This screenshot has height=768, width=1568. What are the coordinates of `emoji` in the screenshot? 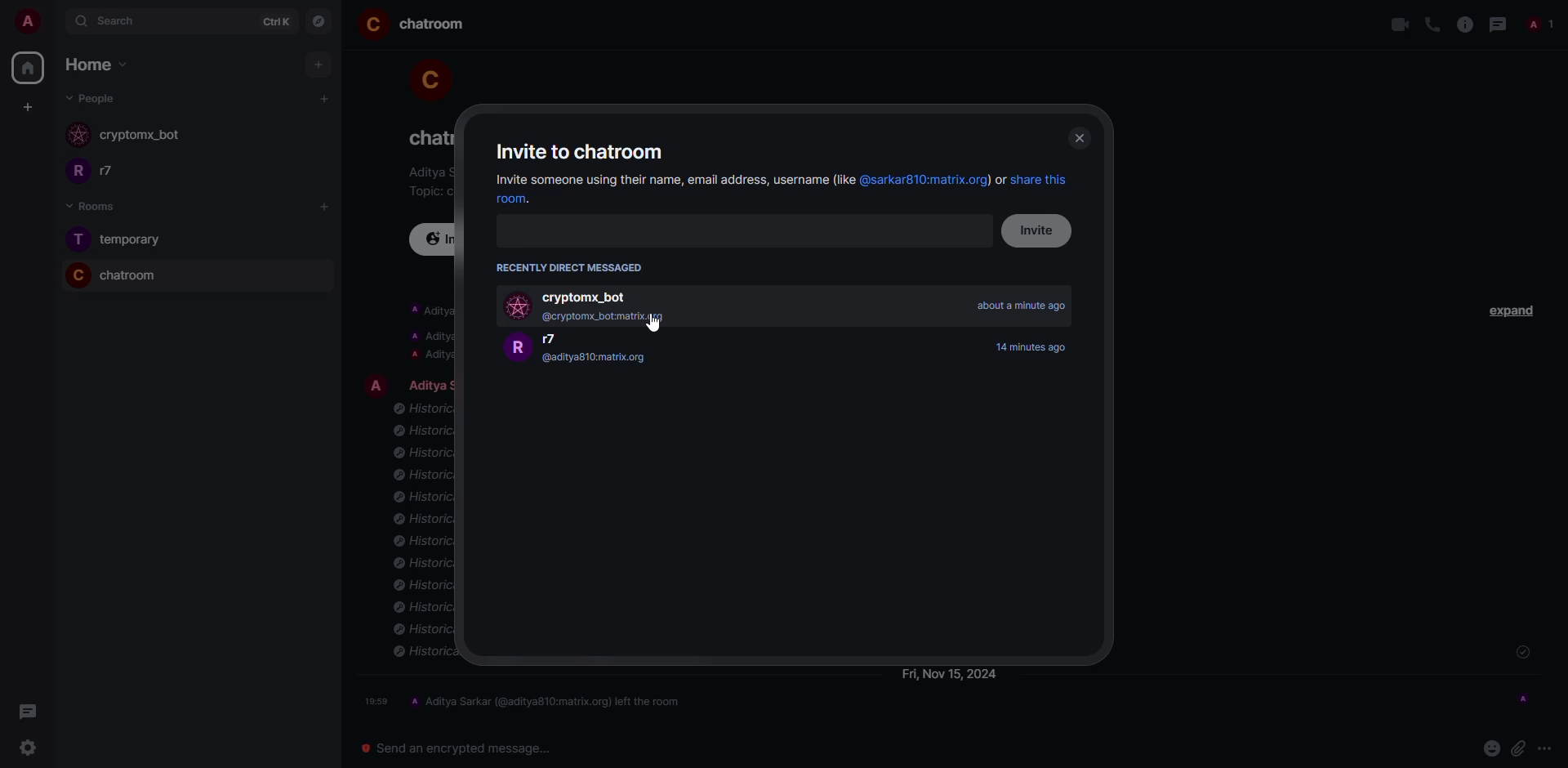 It's located at (1490, 747).